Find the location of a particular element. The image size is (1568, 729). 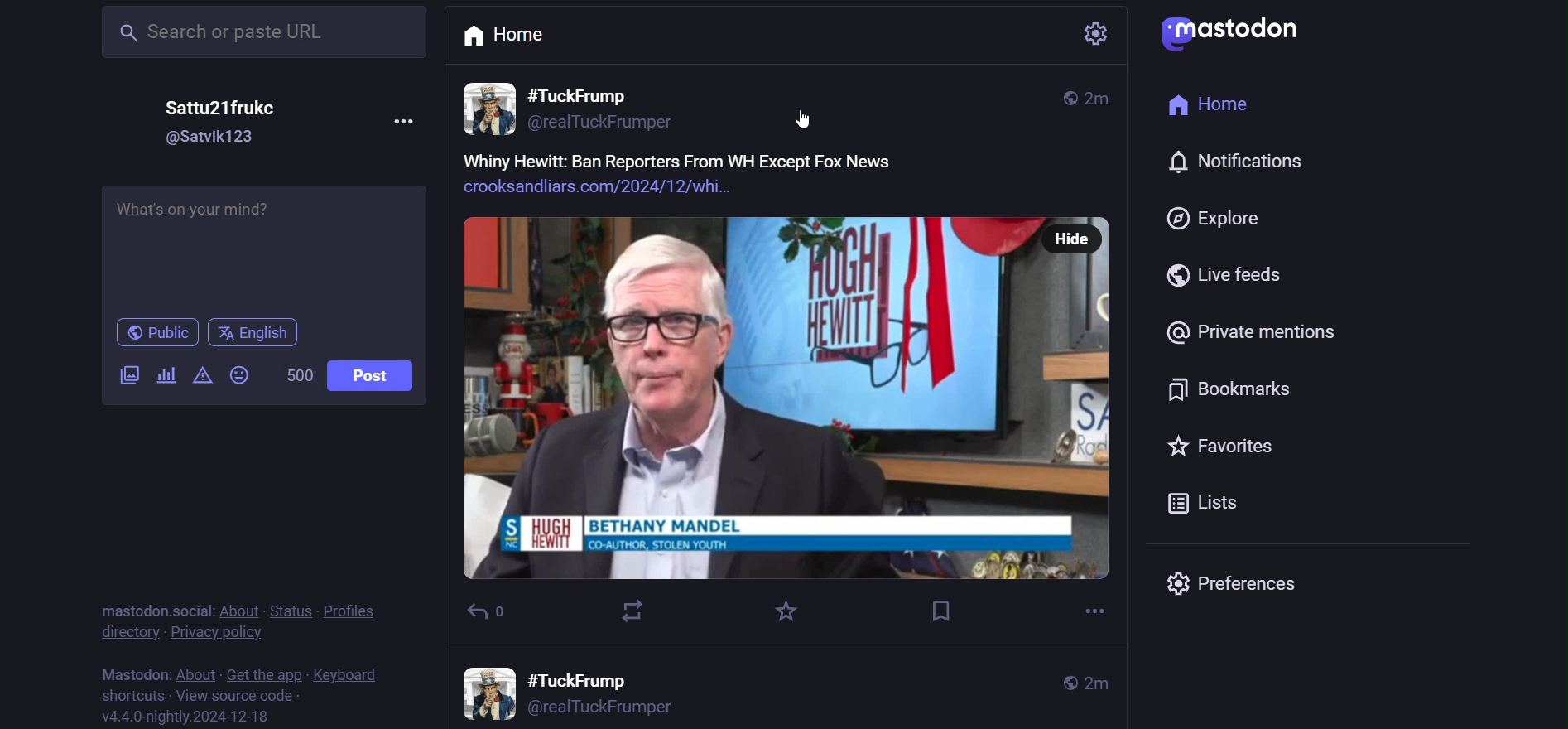

bookmark is located at coordinates (1231, 388).